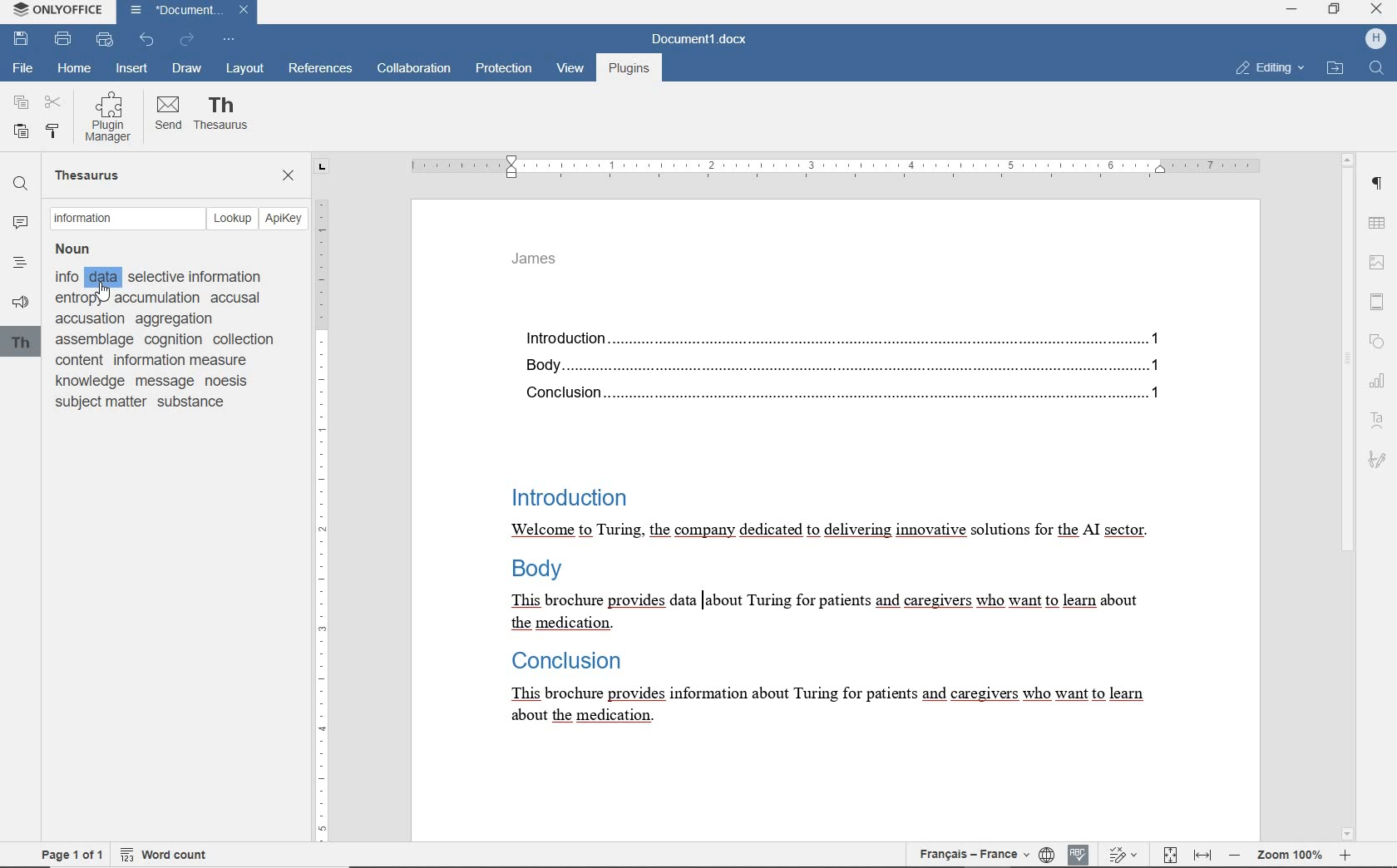  What do you see at coordinates (1048, 855) in the screenshot?
I see `SET DOCUMENT LANGUAGE` at bounding box center [1048, 855].